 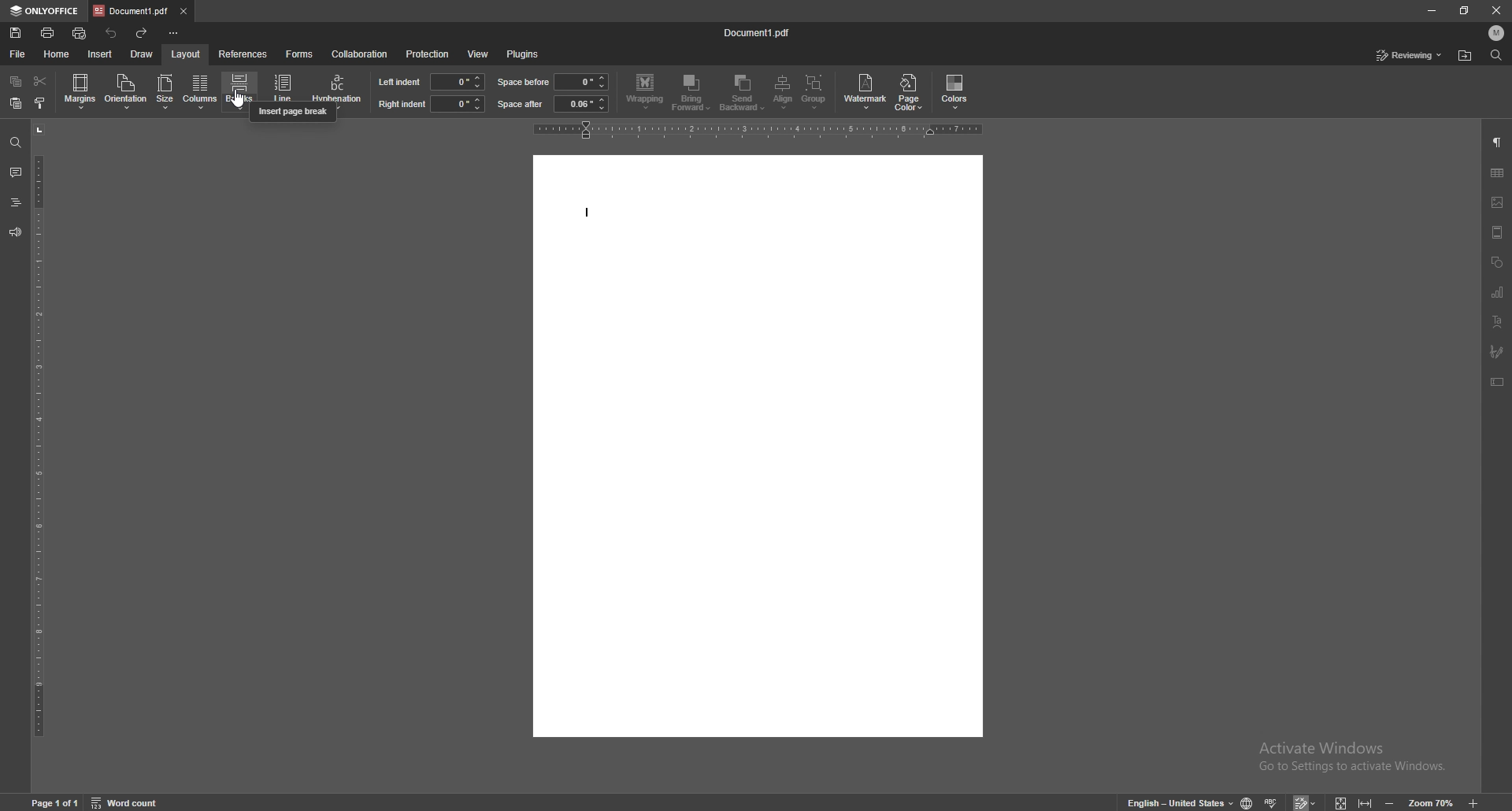 I want to click on paragraph, so click(x=1497, y=143).